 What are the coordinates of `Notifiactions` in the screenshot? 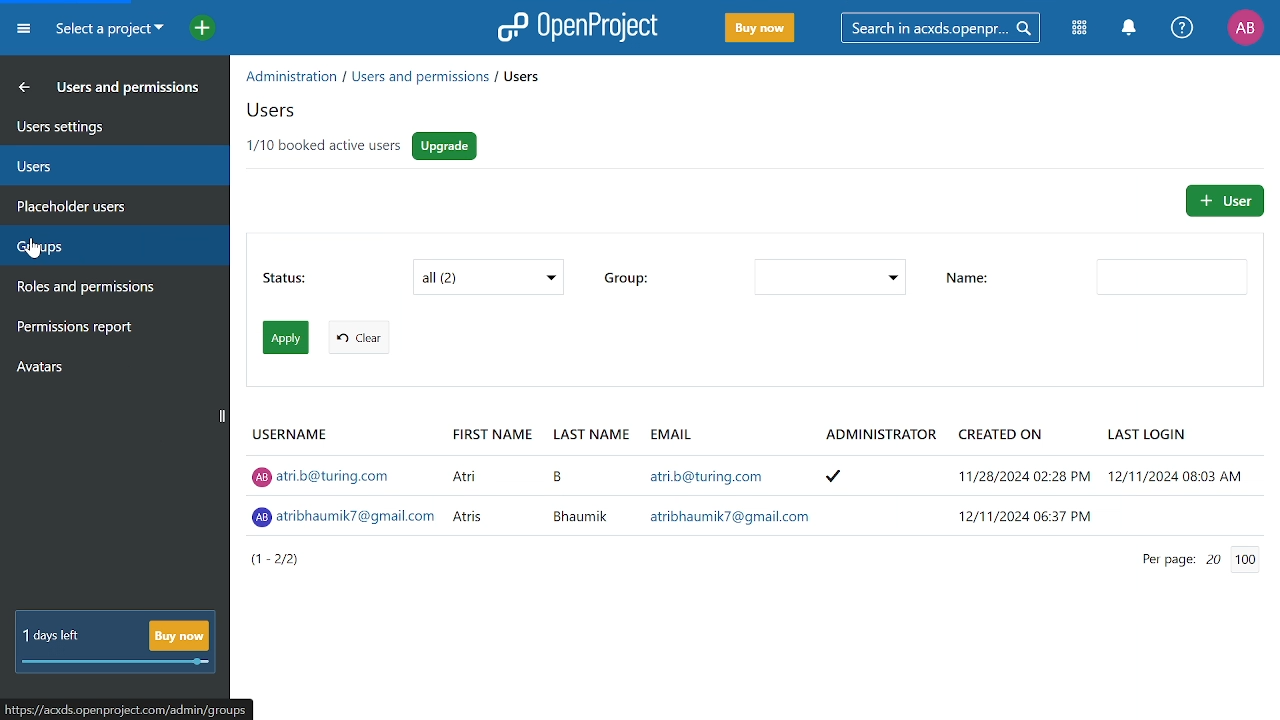 It's located at (1134, 29).